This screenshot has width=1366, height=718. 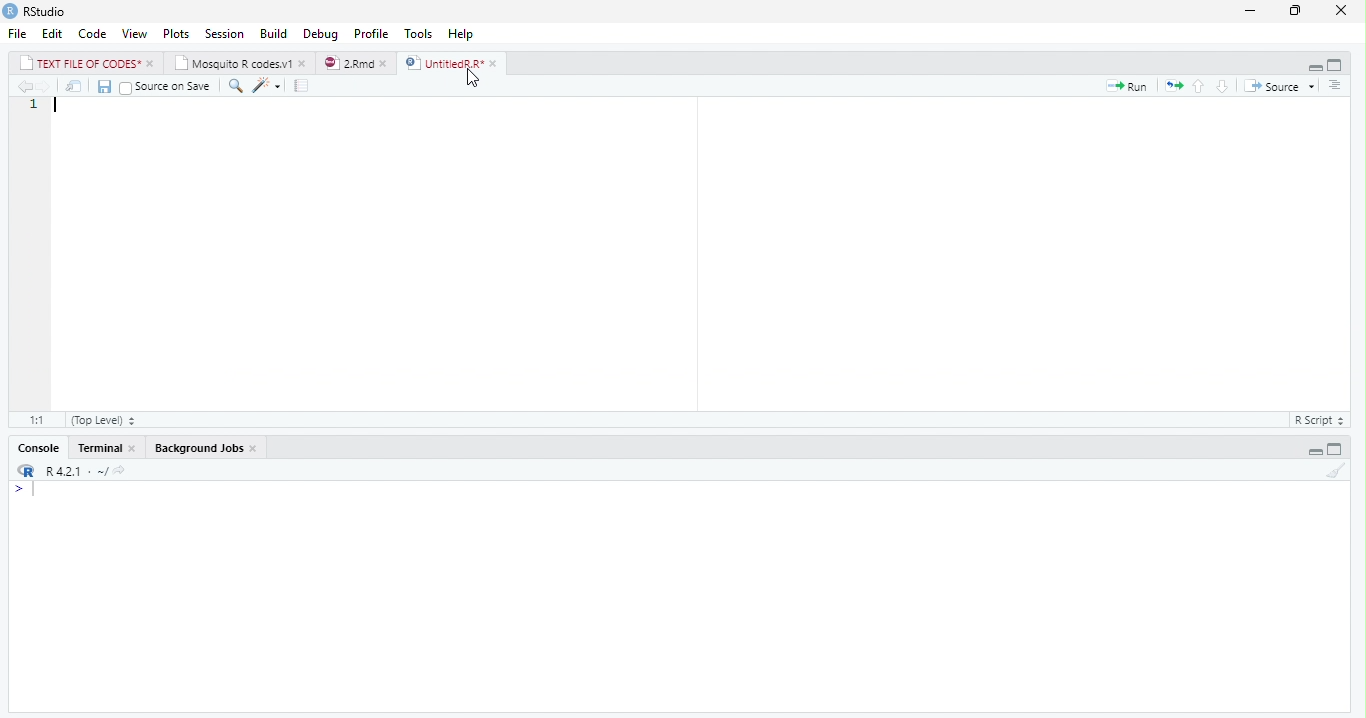 I want to click on code, so click(x=93, y=33).